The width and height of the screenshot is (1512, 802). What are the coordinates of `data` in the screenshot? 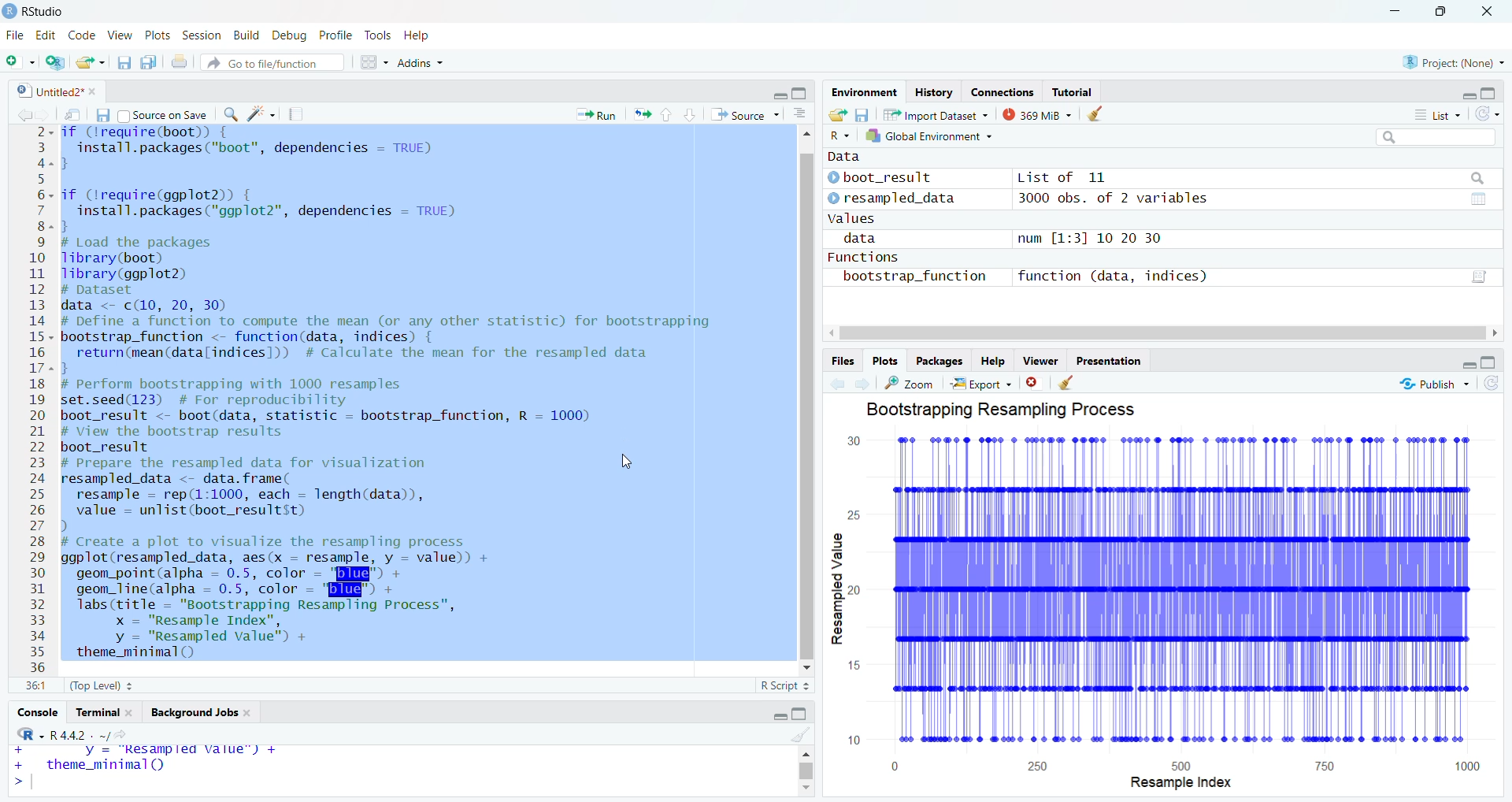 It's located at (854, 157).